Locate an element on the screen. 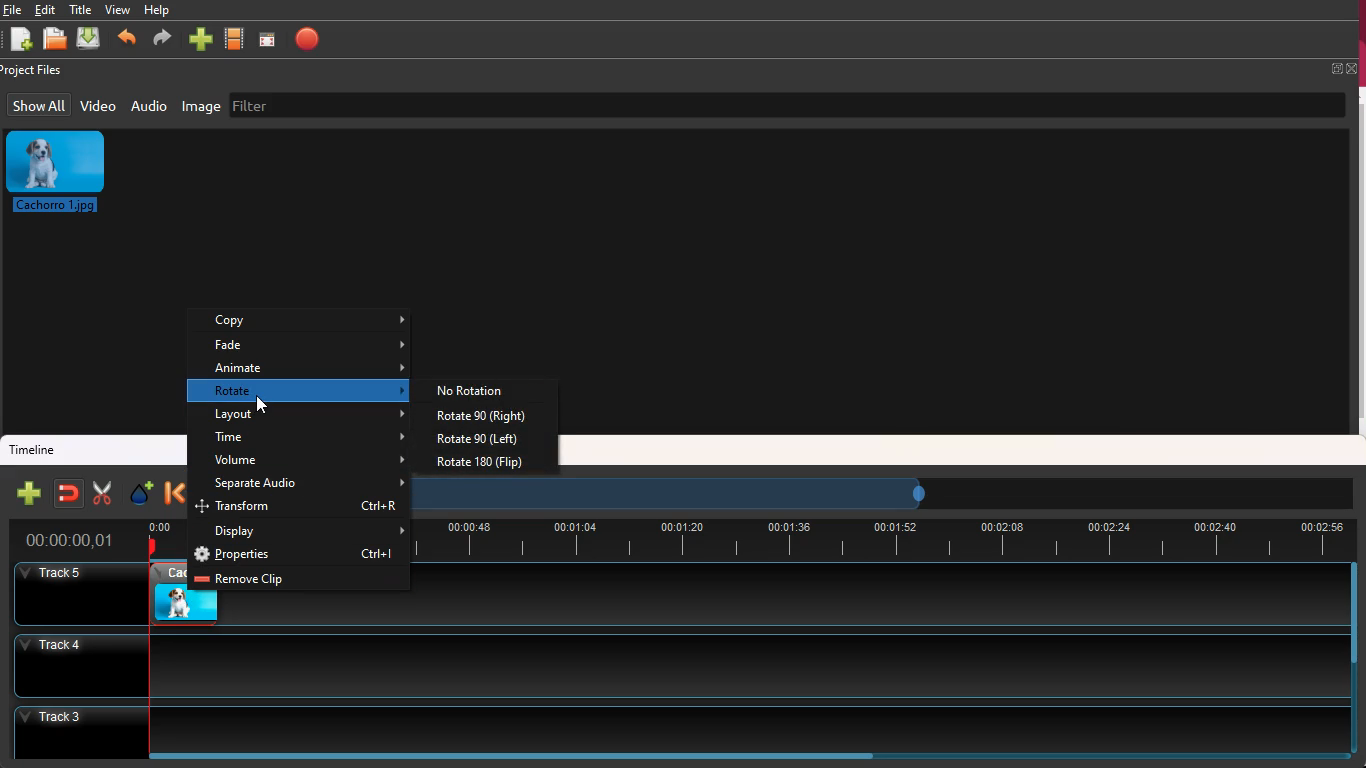  track is located at coordinates (872, 594).